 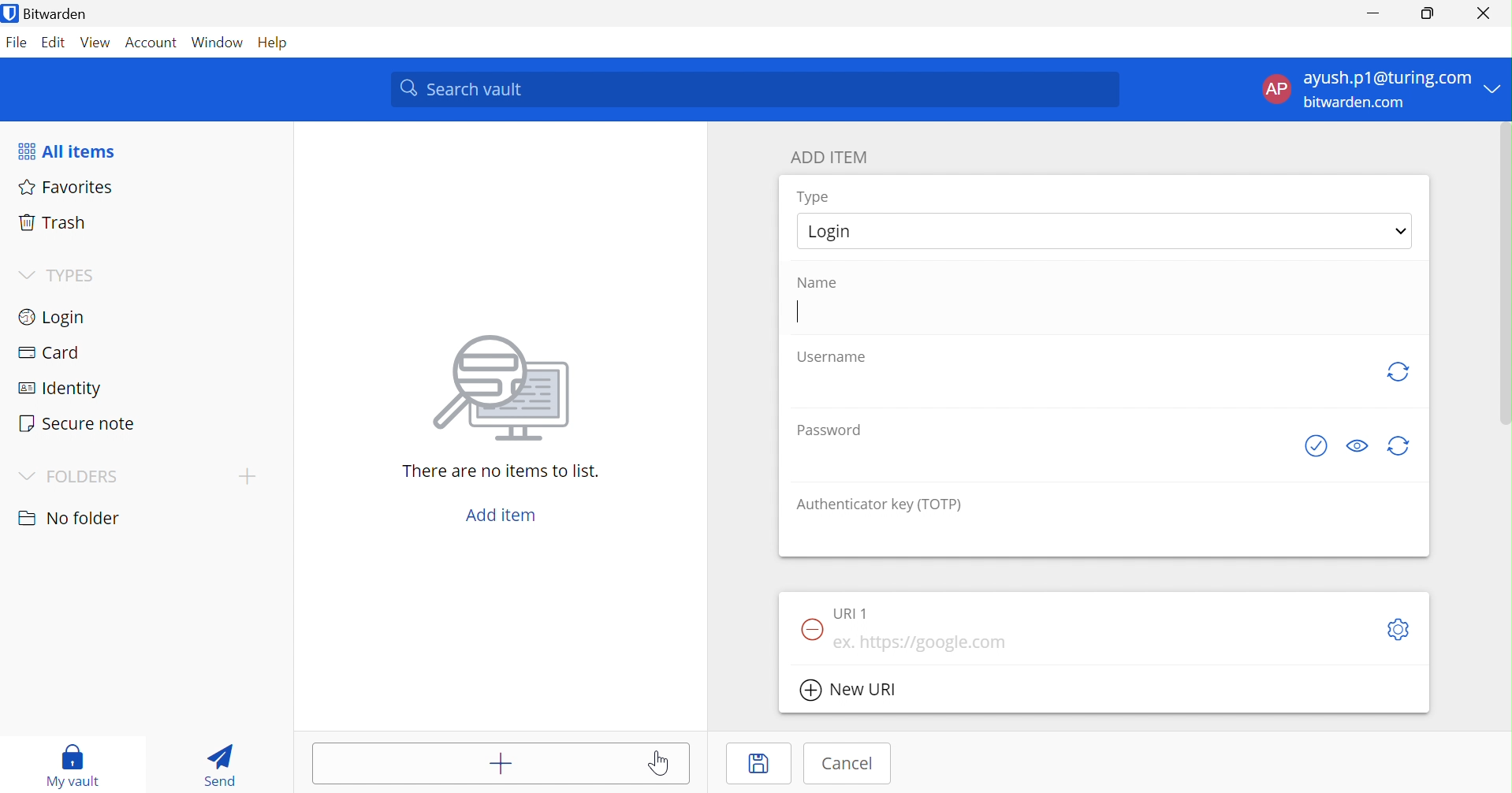 What do you see at coordinates (817, 281) in the screenshot?
I see `Name` at bounding box center [817, 281].